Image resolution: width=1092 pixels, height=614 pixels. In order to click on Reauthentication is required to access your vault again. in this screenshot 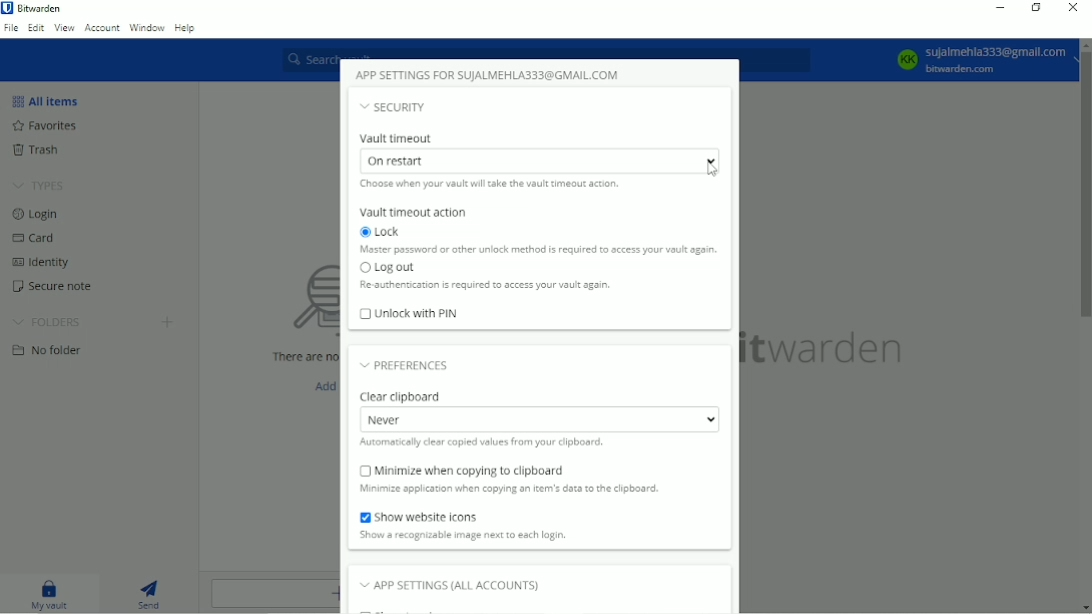, I will do `click(492, 285)`.